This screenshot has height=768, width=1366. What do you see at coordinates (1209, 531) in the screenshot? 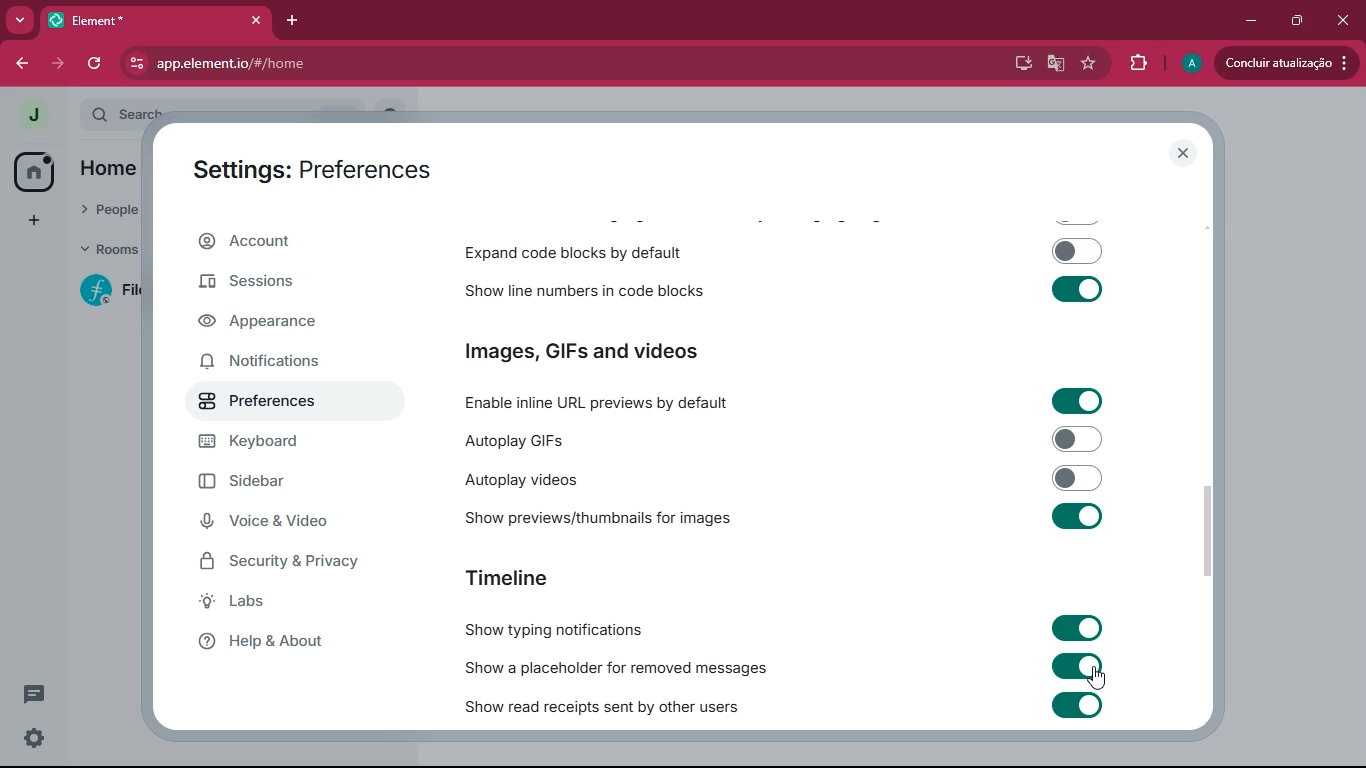
I see `scroll bar` at bounding box center [1209, 531].